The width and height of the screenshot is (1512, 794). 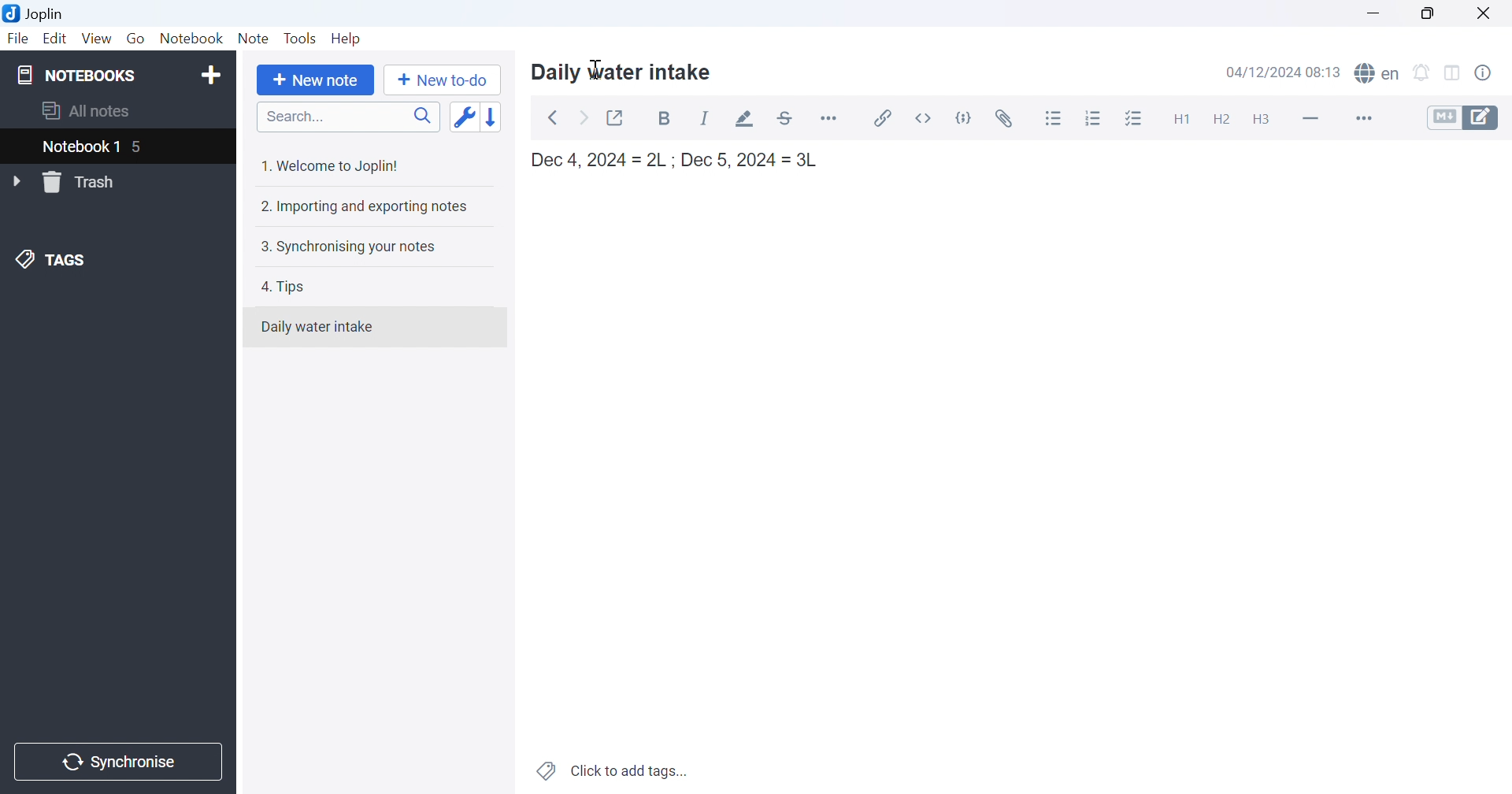 I want to click on Note, so click(x=254, y=39).